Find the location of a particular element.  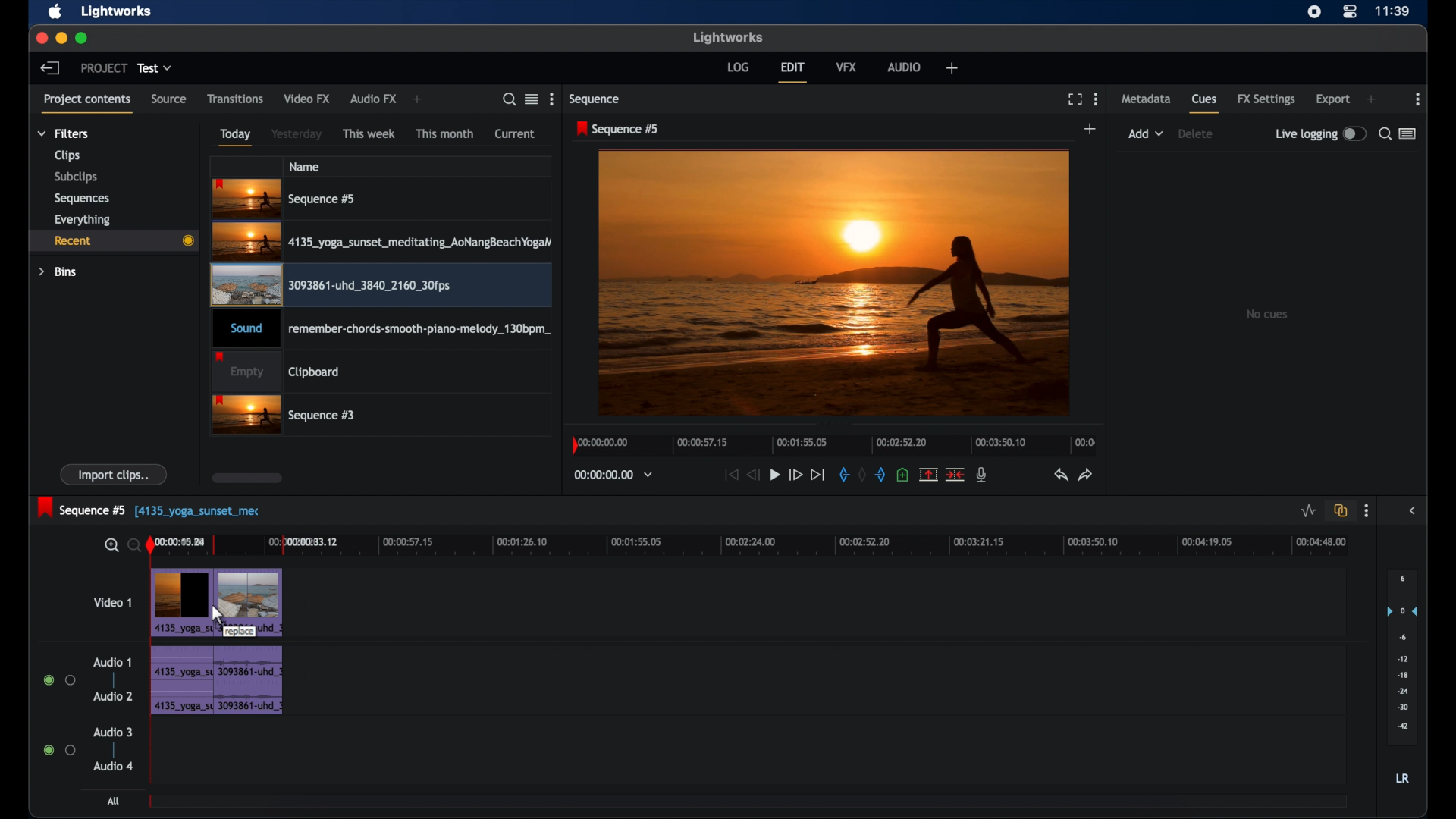

sidebar is located at coordinates (1412, 511).